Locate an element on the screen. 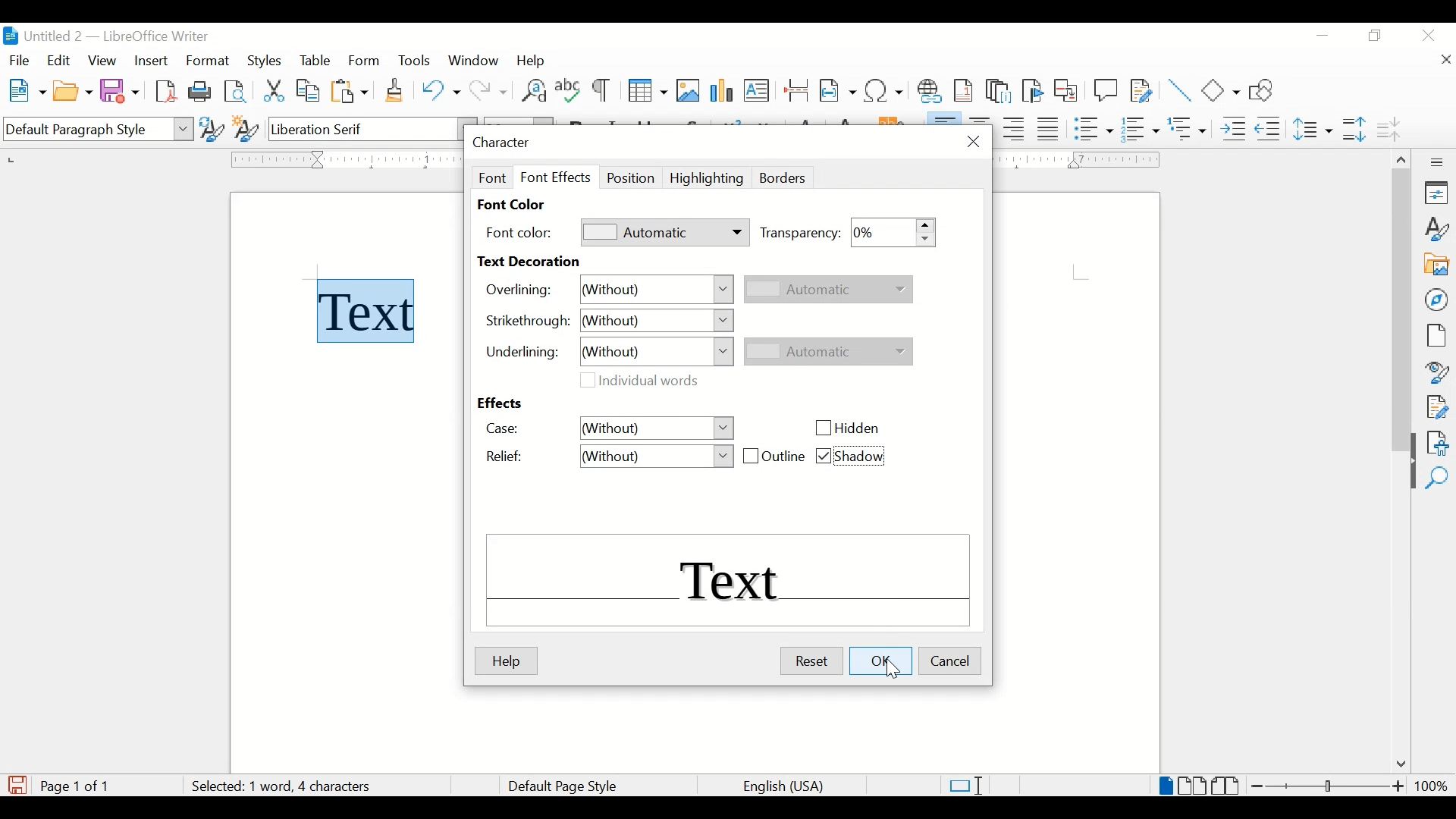  cancel is located at coordinates (950, 661).